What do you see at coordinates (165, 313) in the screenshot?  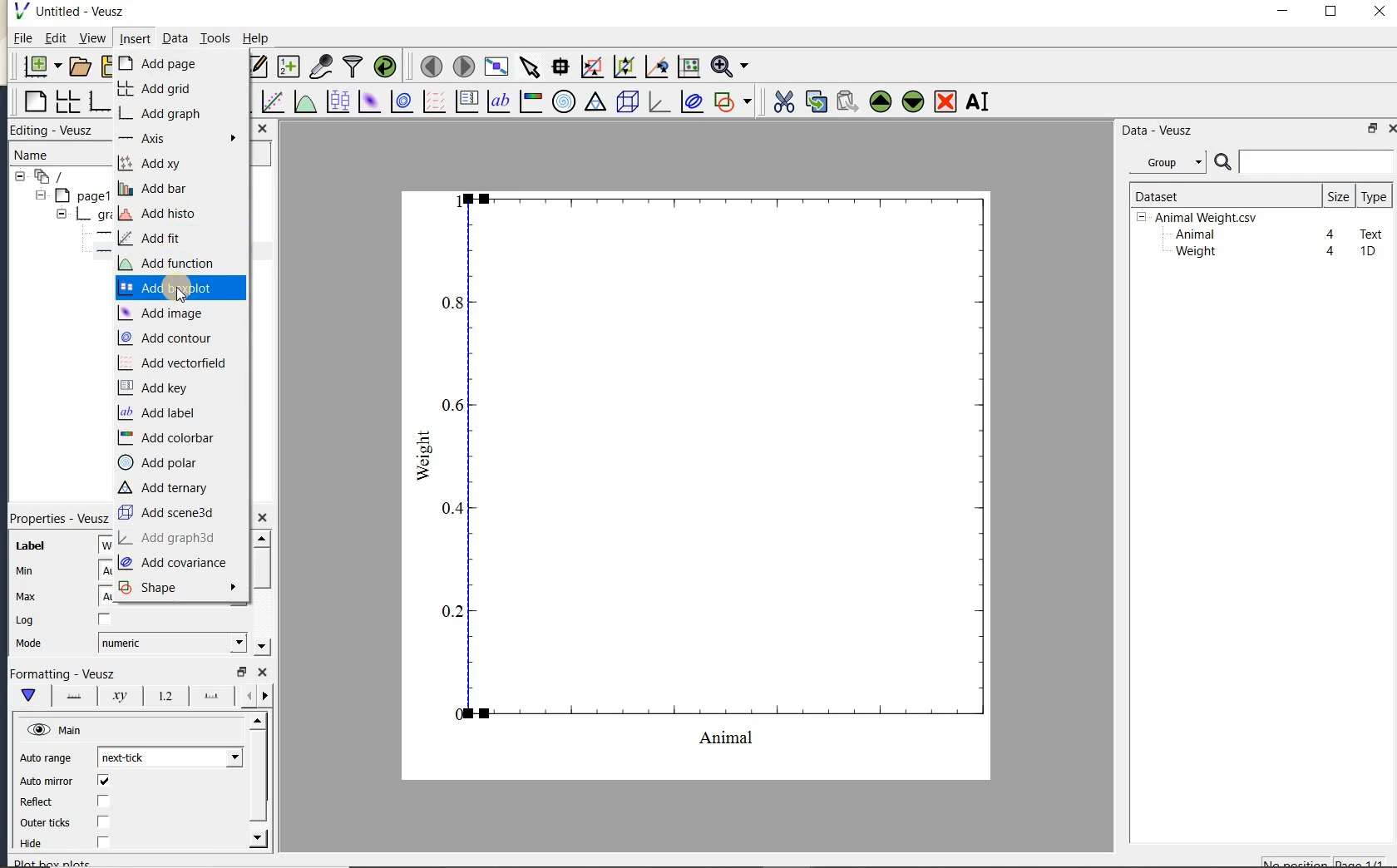 I see `add image` at bounding box center [165, 313].